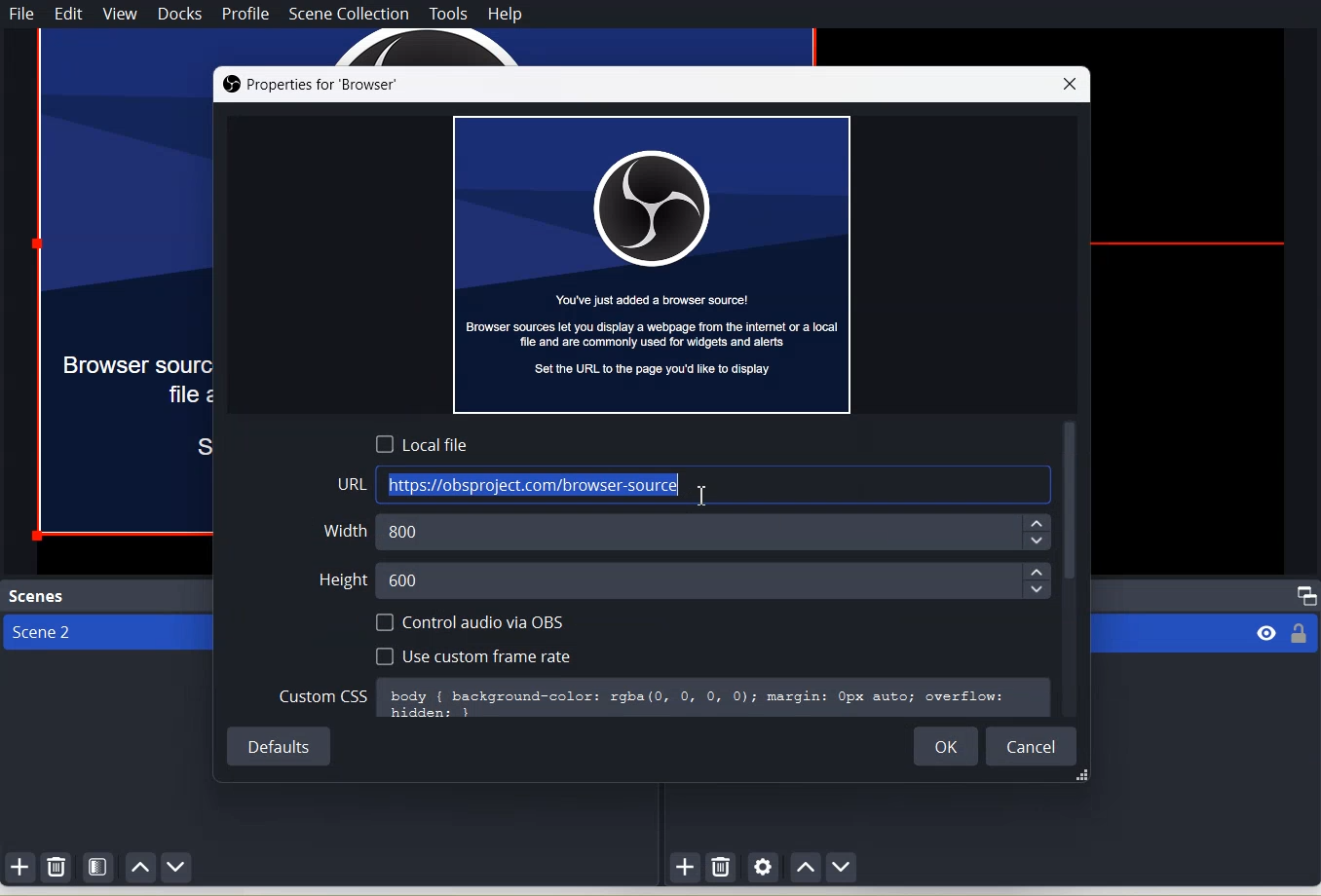 The width and height of the screenshot is (1321, 896). What do you see at coordinates (245, 16) in the screenshot?
I see `Profile` at bounding box center [245, 16].